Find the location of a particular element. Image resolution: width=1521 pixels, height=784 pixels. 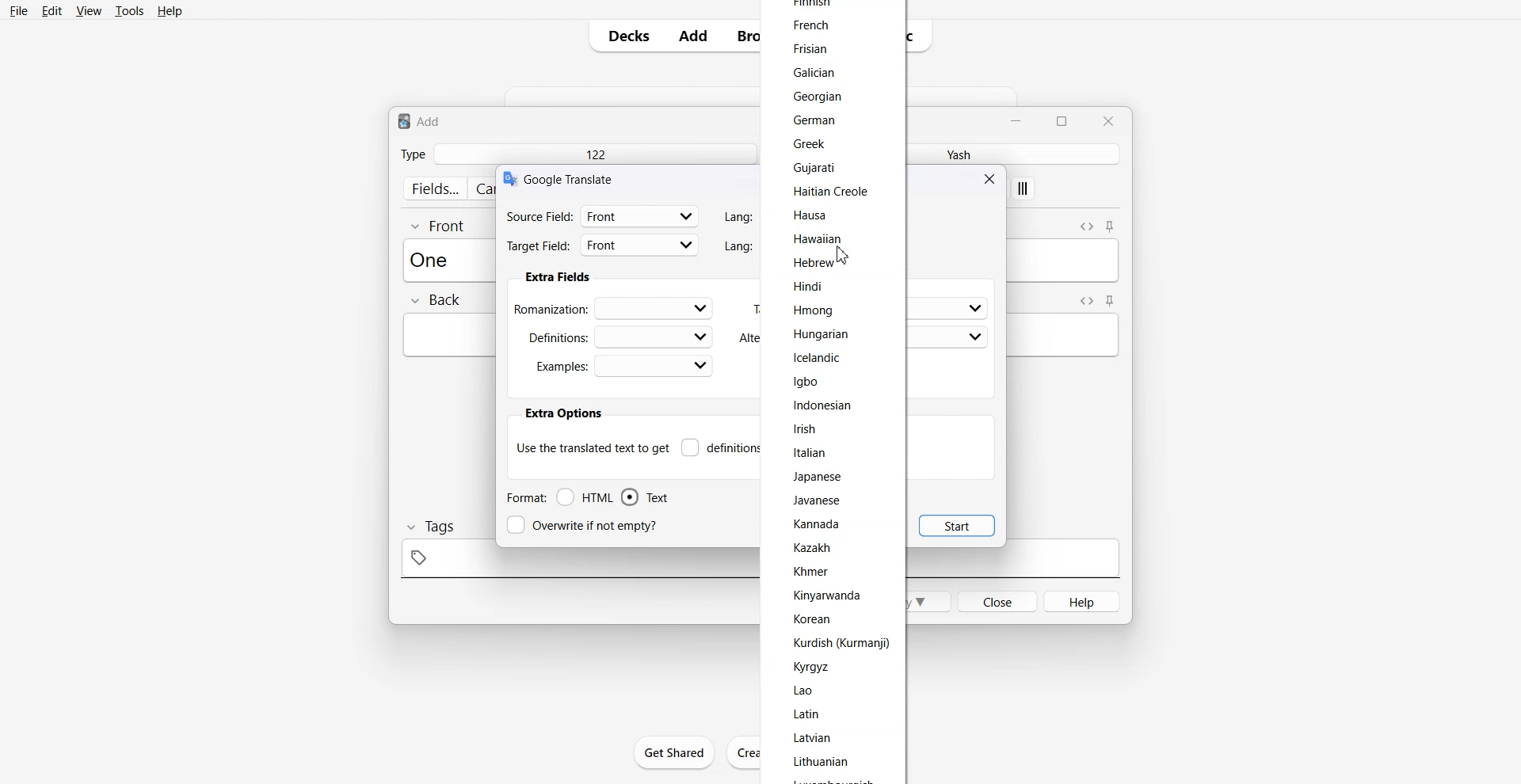

French is located at coordinates (810, 24).